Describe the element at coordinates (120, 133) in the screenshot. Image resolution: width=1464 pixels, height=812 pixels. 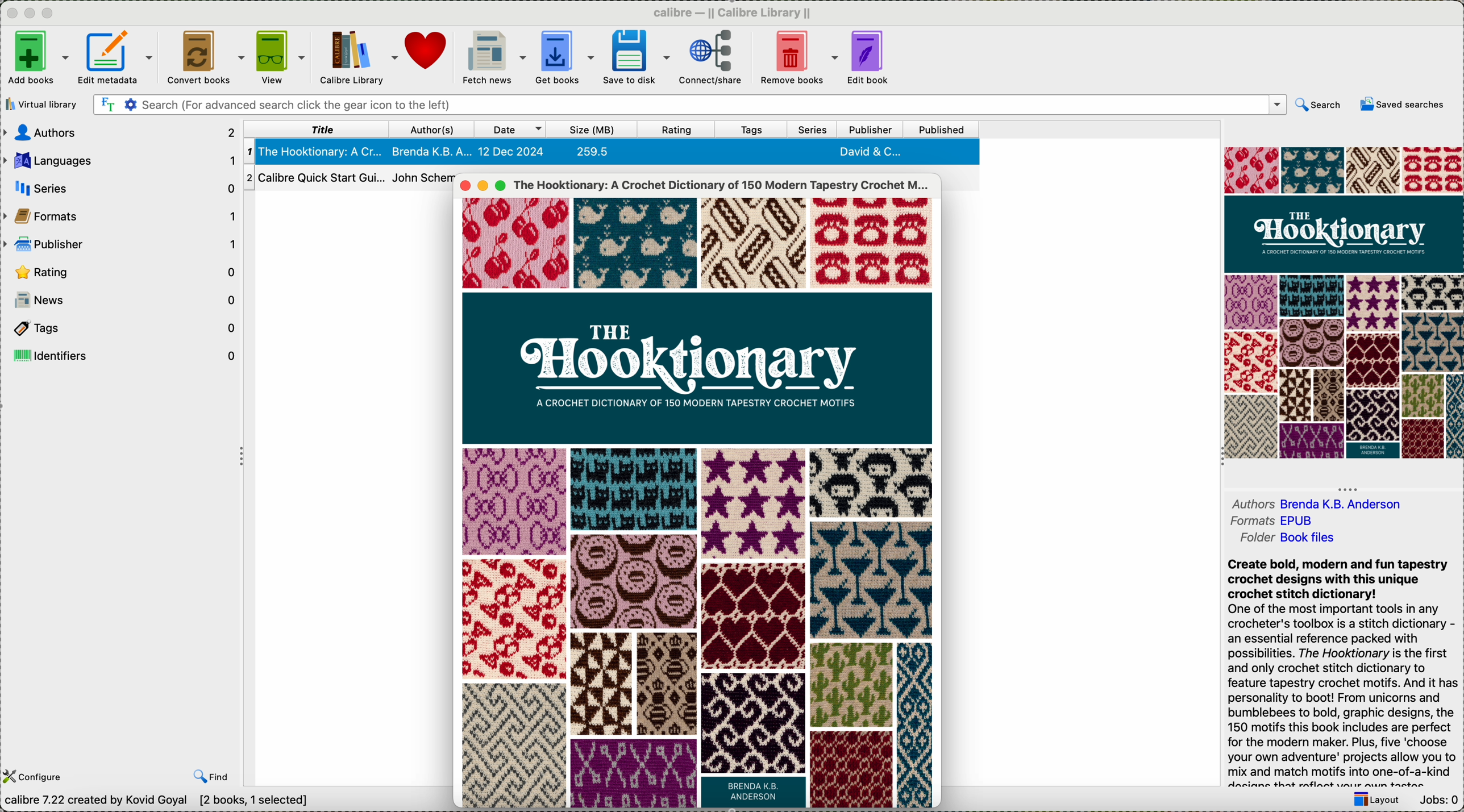
I see `authors` at that location.